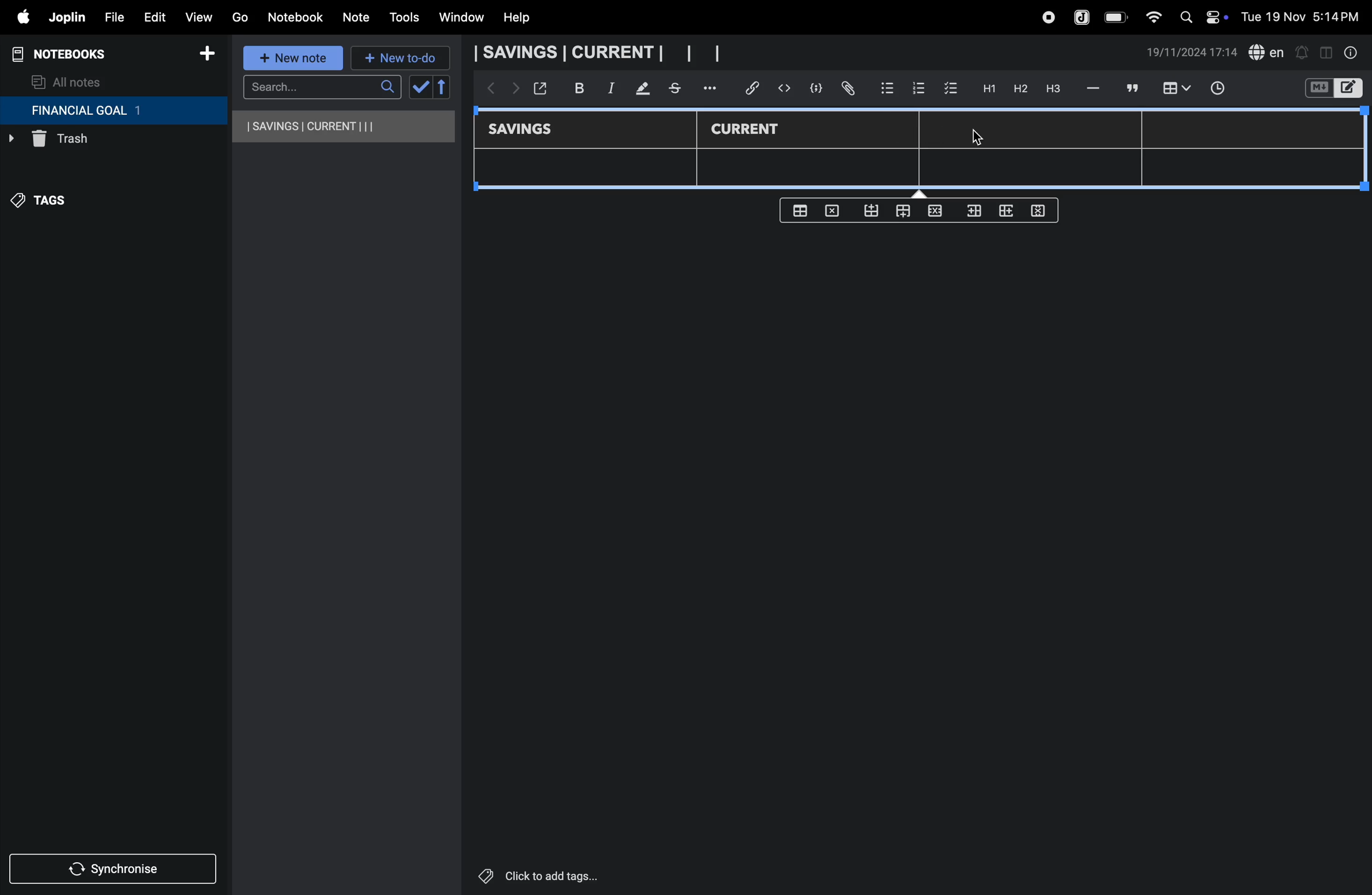  What do you see at coordinates (1225, 89) in the screenshot?
I see `time` at bounding box center [1225, 89].